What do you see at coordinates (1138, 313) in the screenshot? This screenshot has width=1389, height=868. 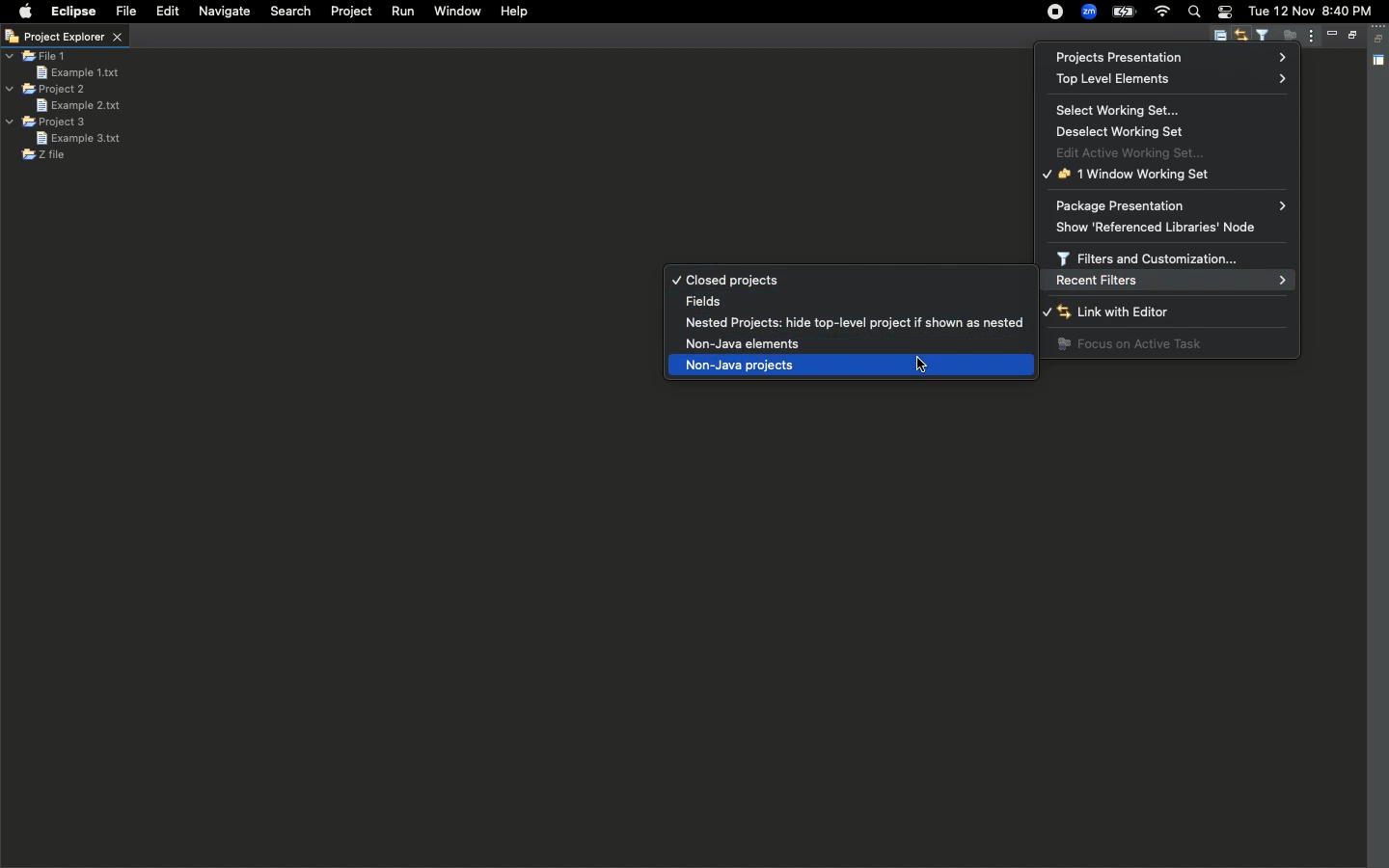 I see `Link with editor` at bounding box center [1138, 313].